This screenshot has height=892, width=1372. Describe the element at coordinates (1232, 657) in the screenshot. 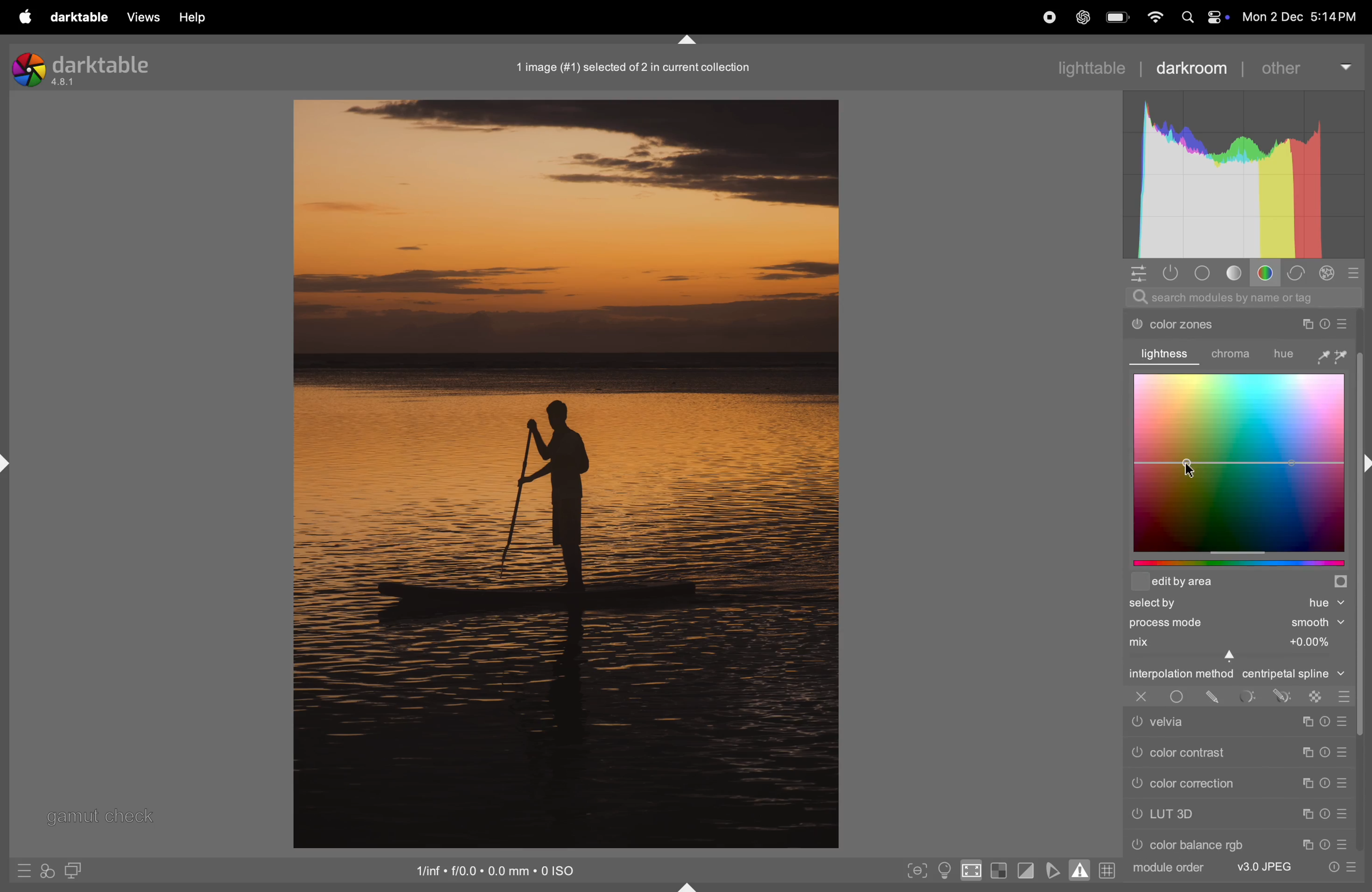

I see `Cursor` at that location.